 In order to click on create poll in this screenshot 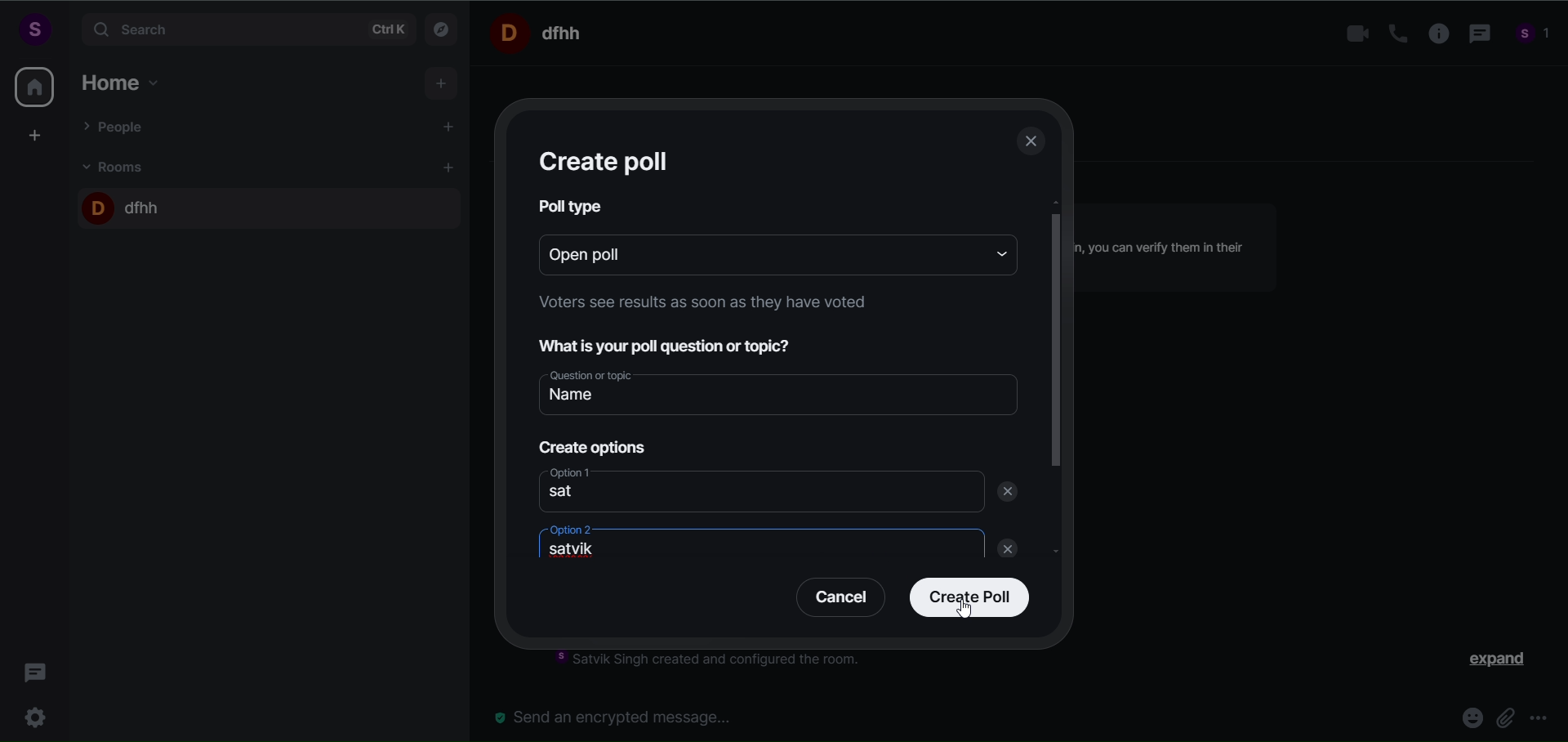, I will do `click(605, 156)`.